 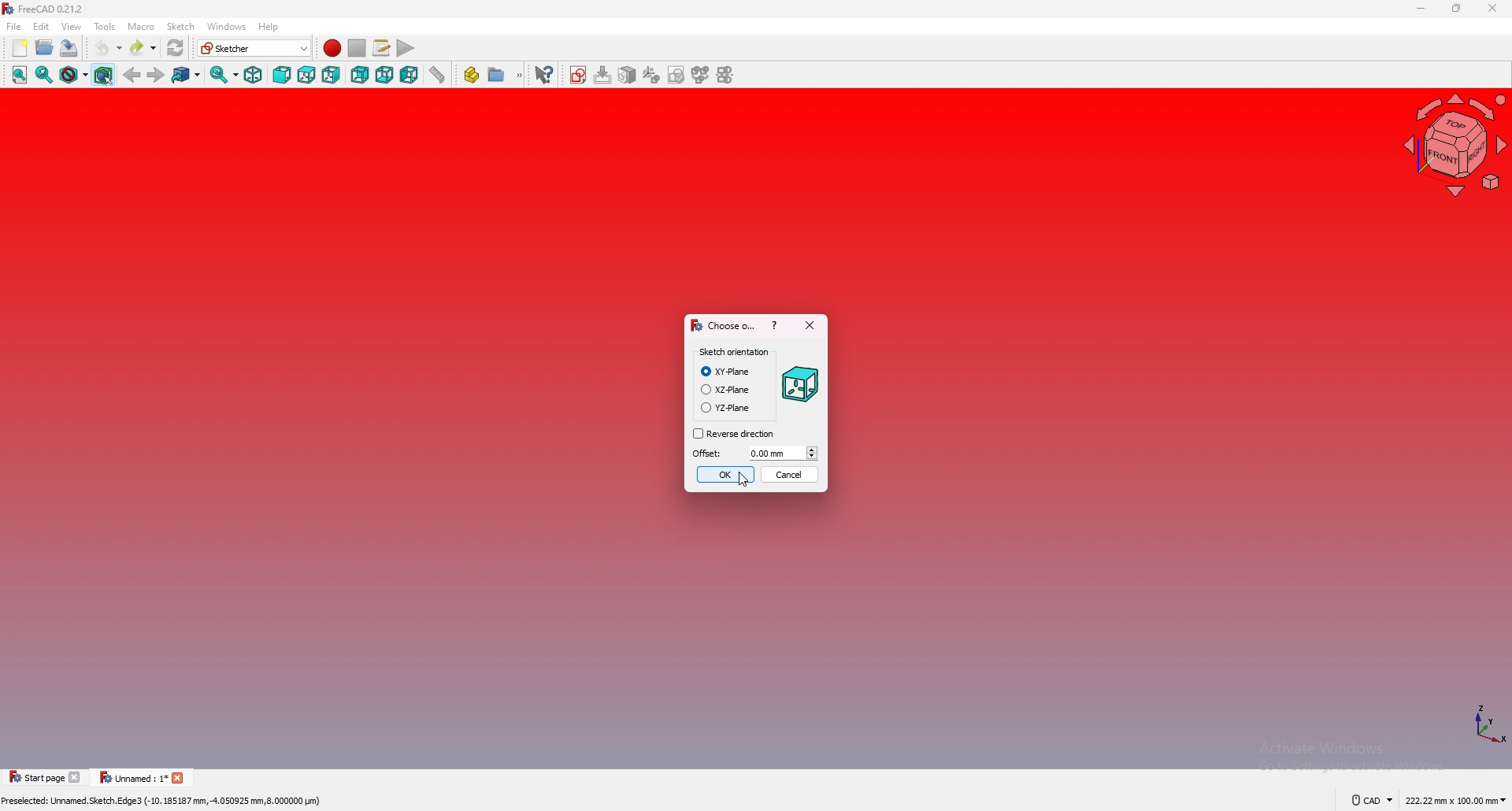 What do you see at coordinates (629, 75) in the screenshot?
I see `attach sketch` at bounding box center [629, 75].